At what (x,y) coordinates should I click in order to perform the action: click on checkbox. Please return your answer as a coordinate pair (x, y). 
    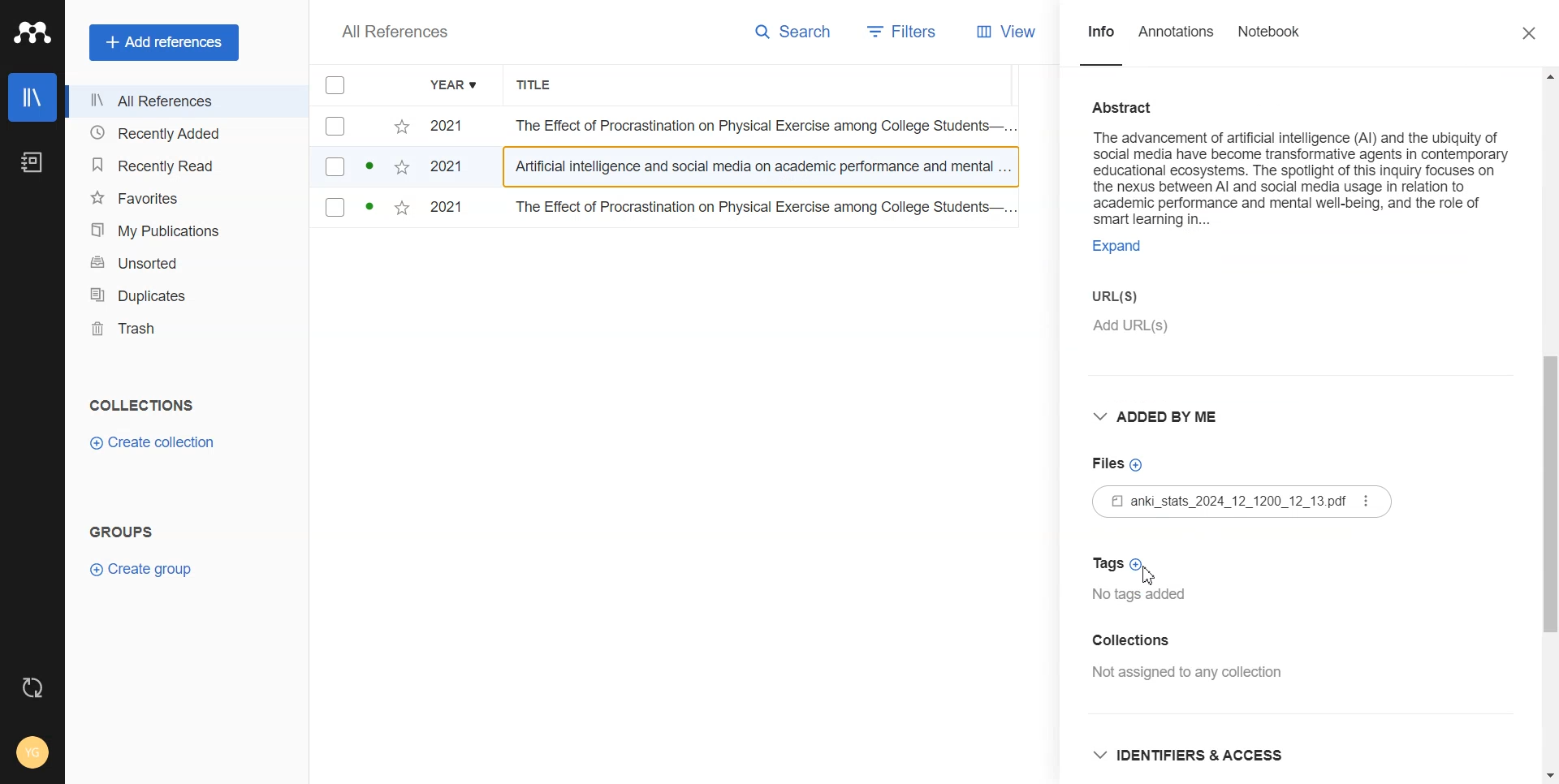
    Looking at the image, I should click on (362, 210).